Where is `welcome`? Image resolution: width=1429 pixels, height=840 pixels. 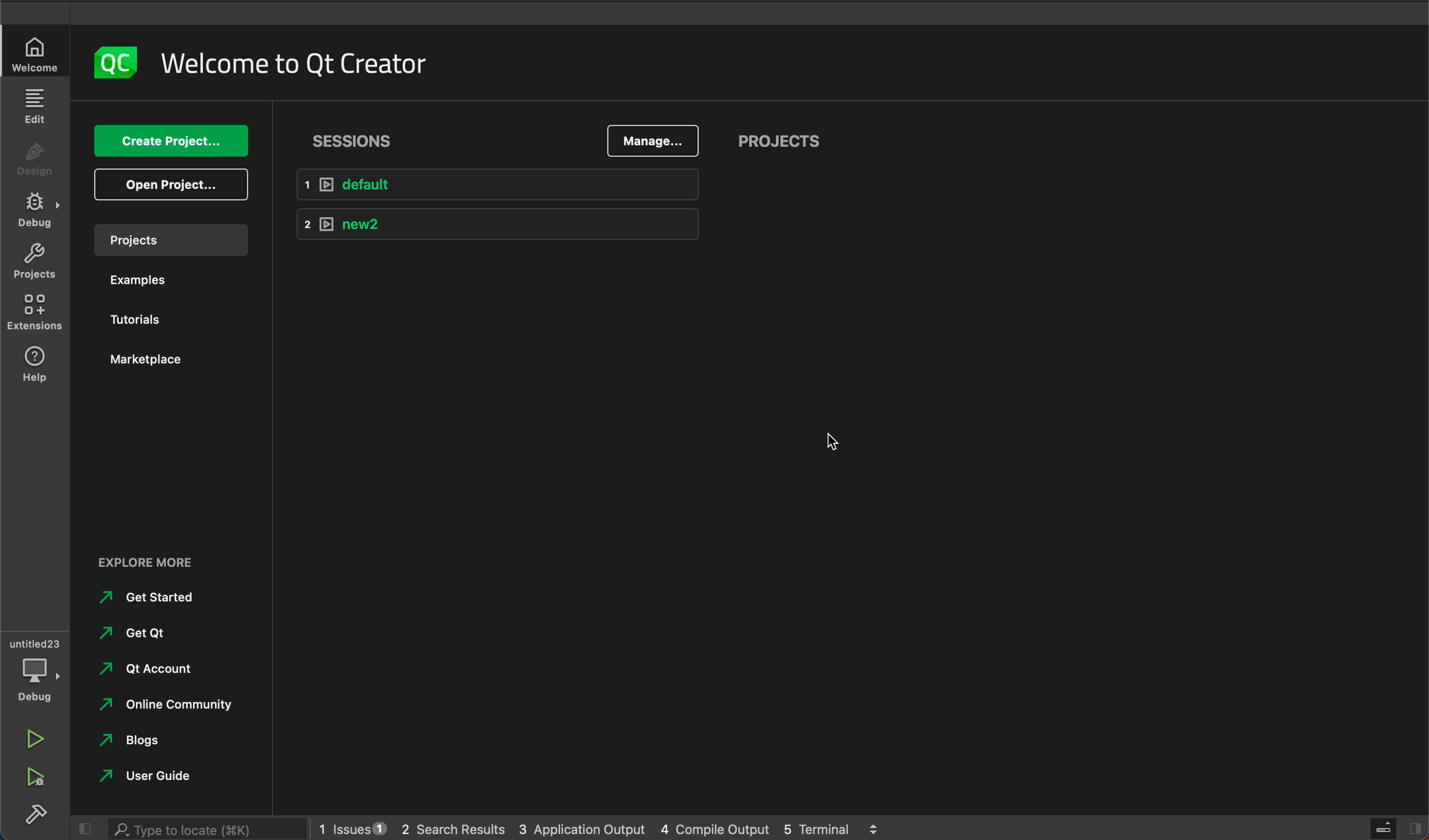 welcome is located at coordinates (36, 54).